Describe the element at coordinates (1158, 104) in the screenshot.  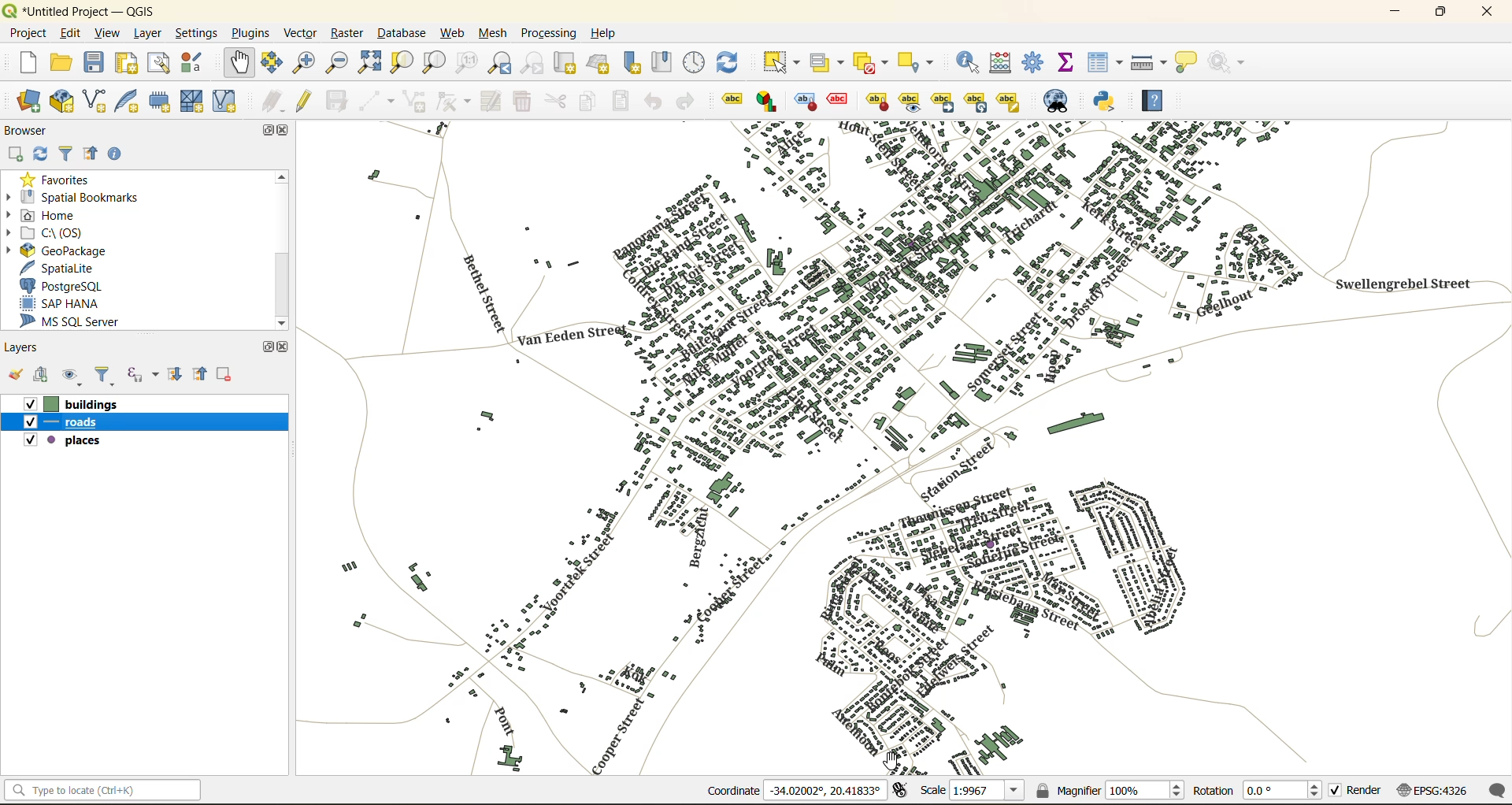
I see `help` at that location.